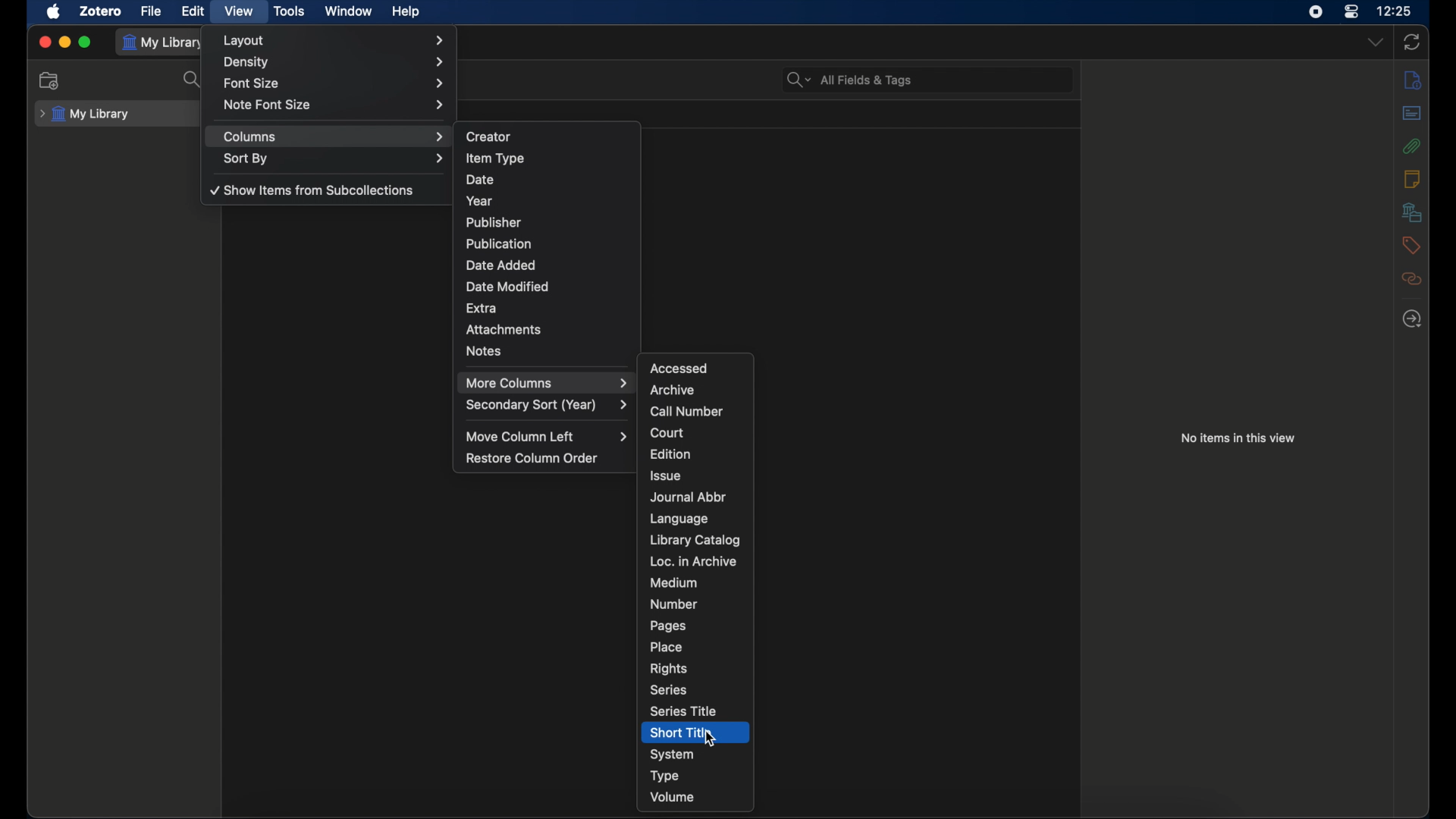  What do you see at coordinates (334, 136) in the screenshot?
I see `columns` at bounding box center [334, 136].